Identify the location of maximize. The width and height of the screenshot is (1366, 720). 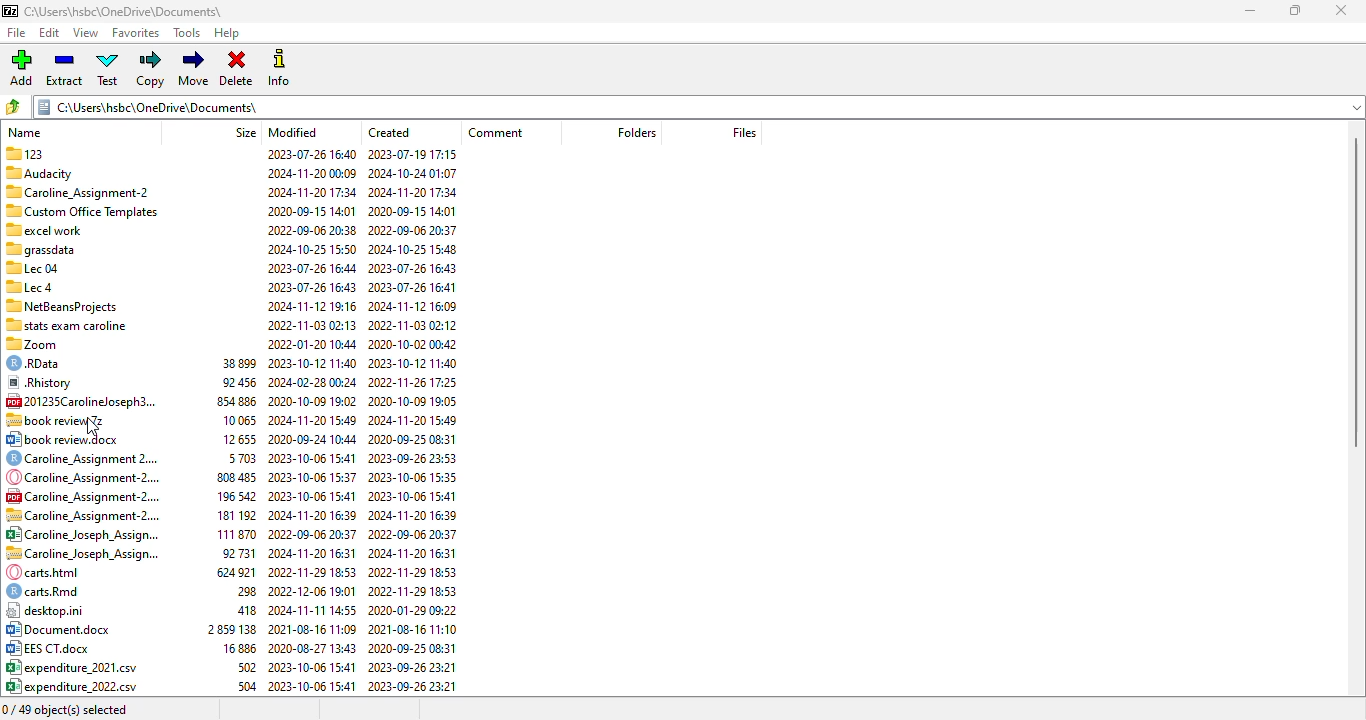
(1294, 11).